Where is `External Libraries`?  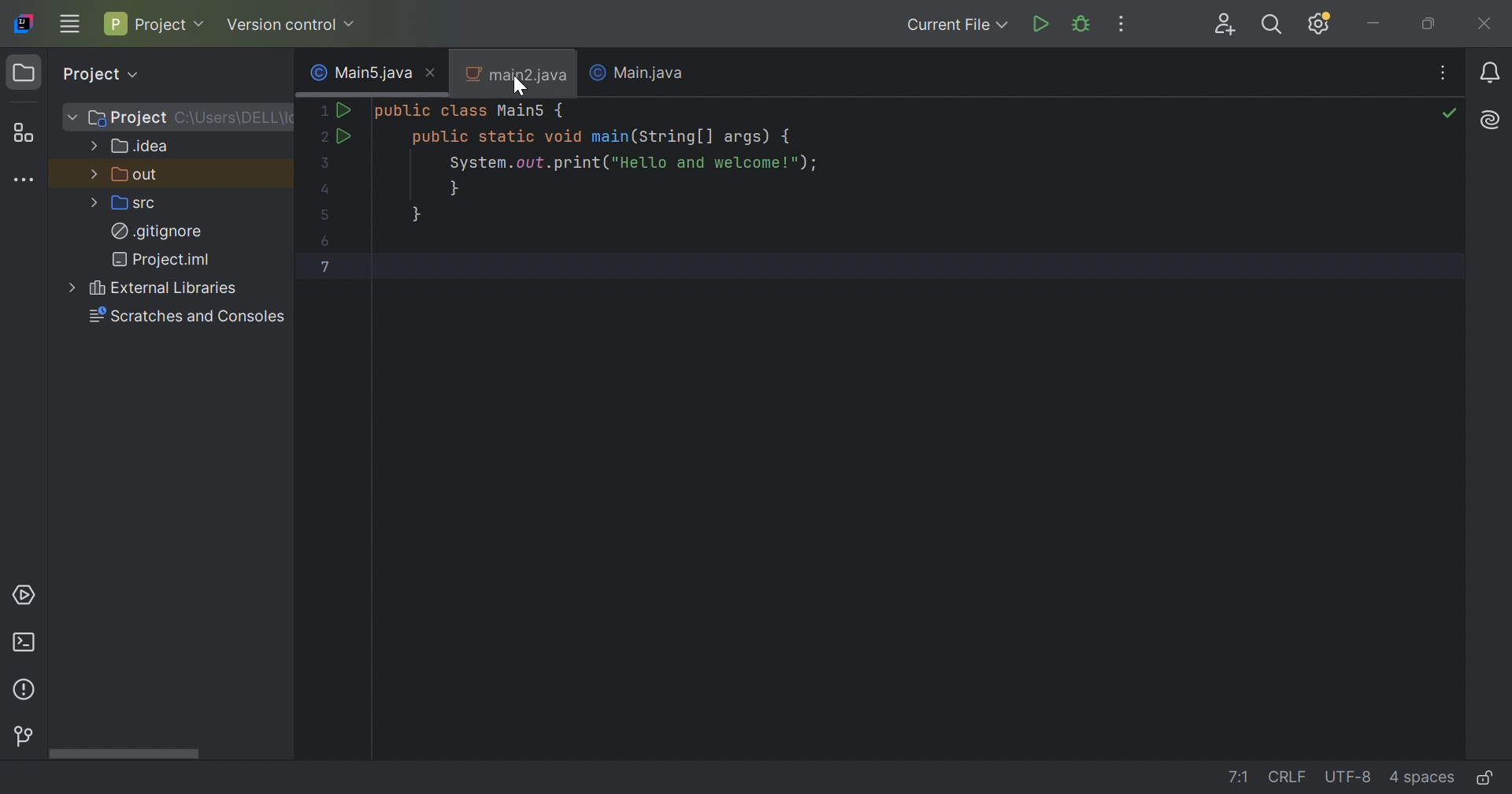
External Libraries is located at coordinates (165, 288).